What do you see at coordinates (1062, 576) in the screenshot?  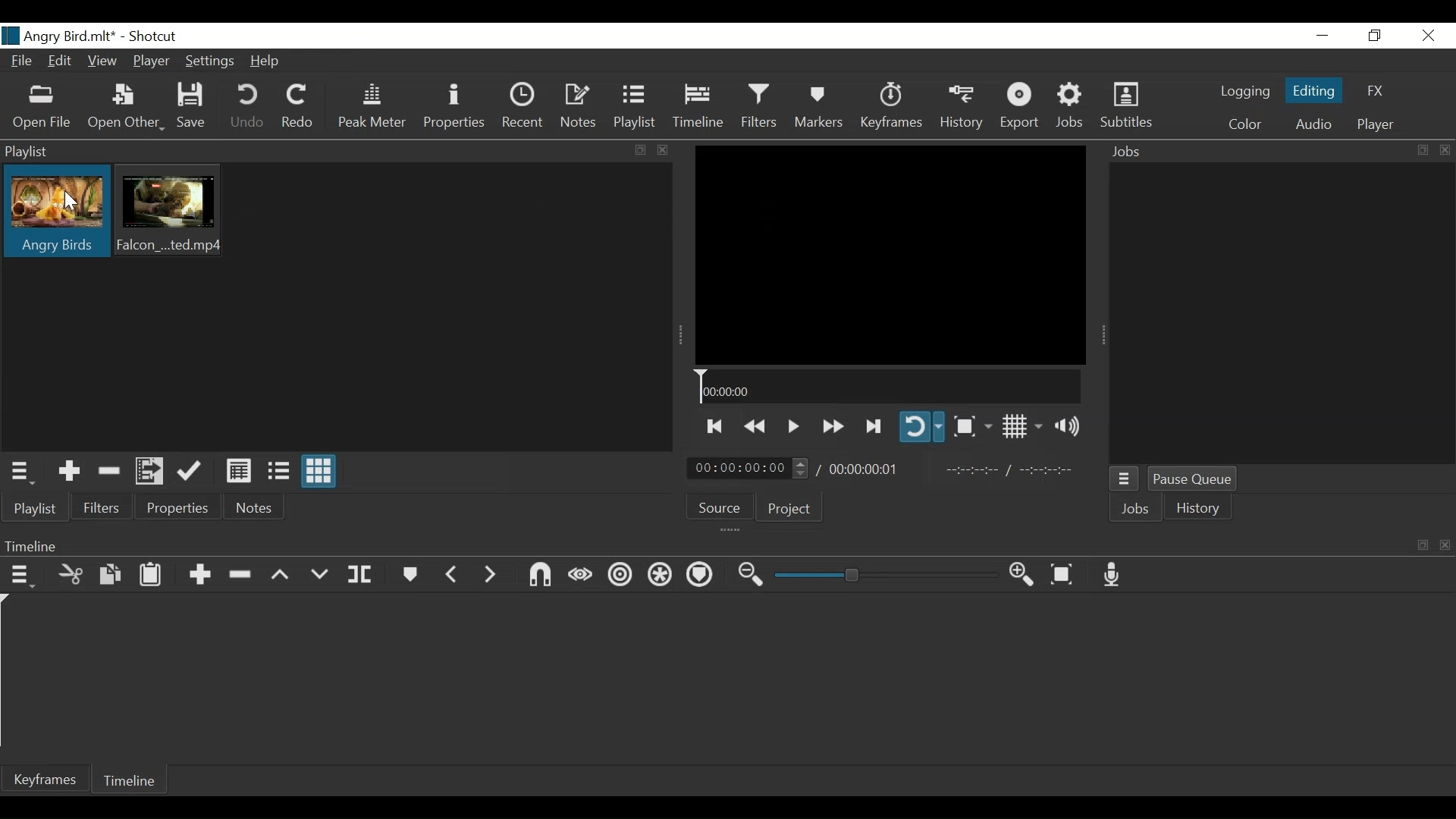 I see `Zoom timeline to fit` at bounding box center [1062, 576].